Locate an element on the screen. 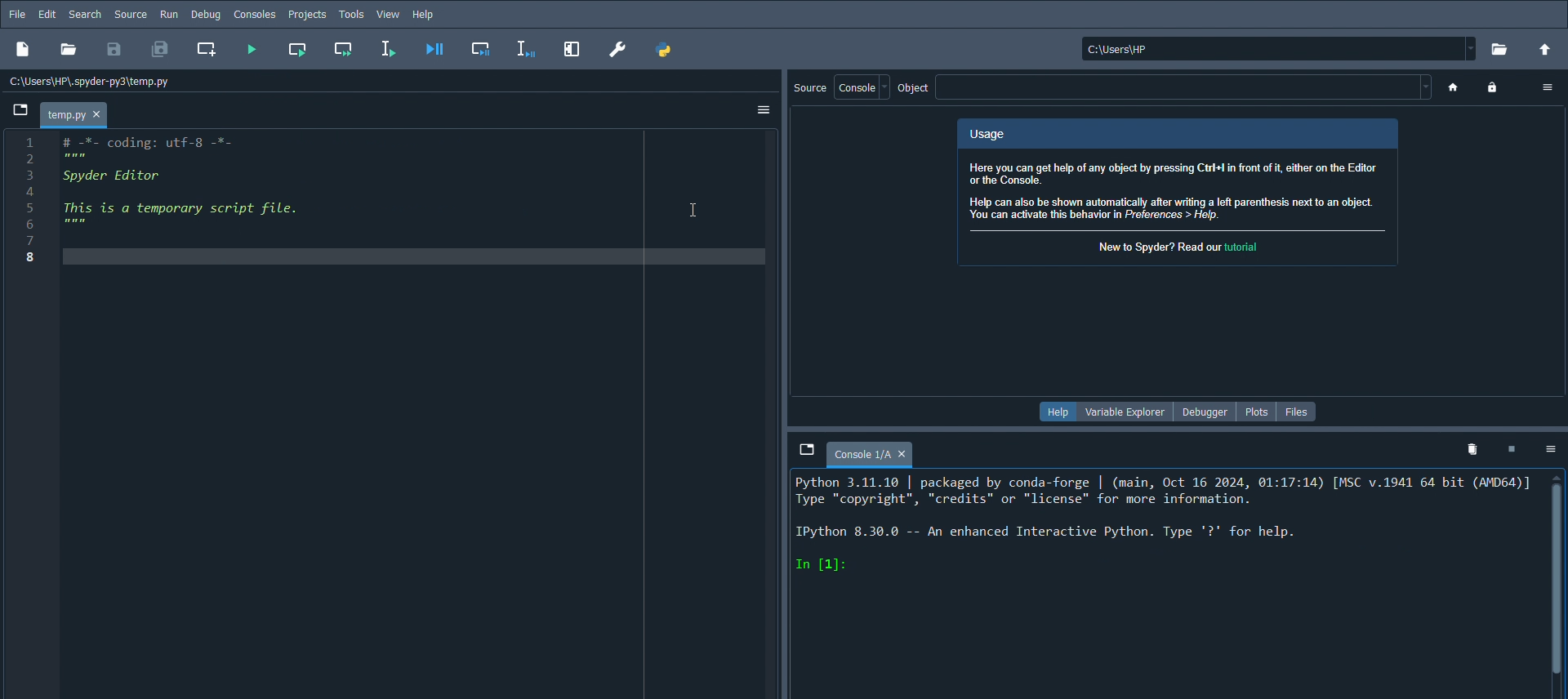 The image size is (1568, 699). Edit is located at coordinates (46, 12).